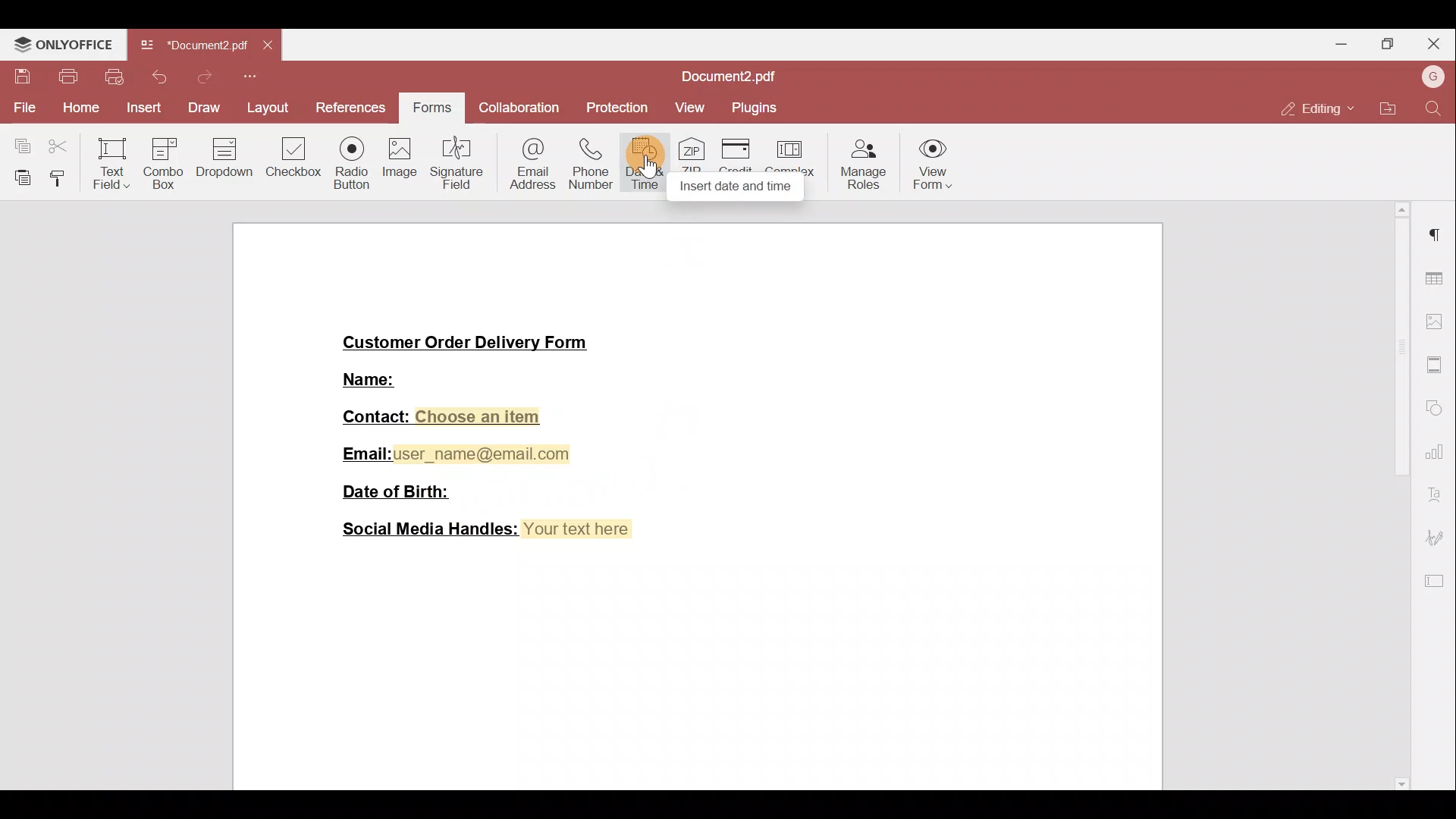 This screenshot has height=819, width=1456. I want to click on Document2.pdf, so click(193, 45).